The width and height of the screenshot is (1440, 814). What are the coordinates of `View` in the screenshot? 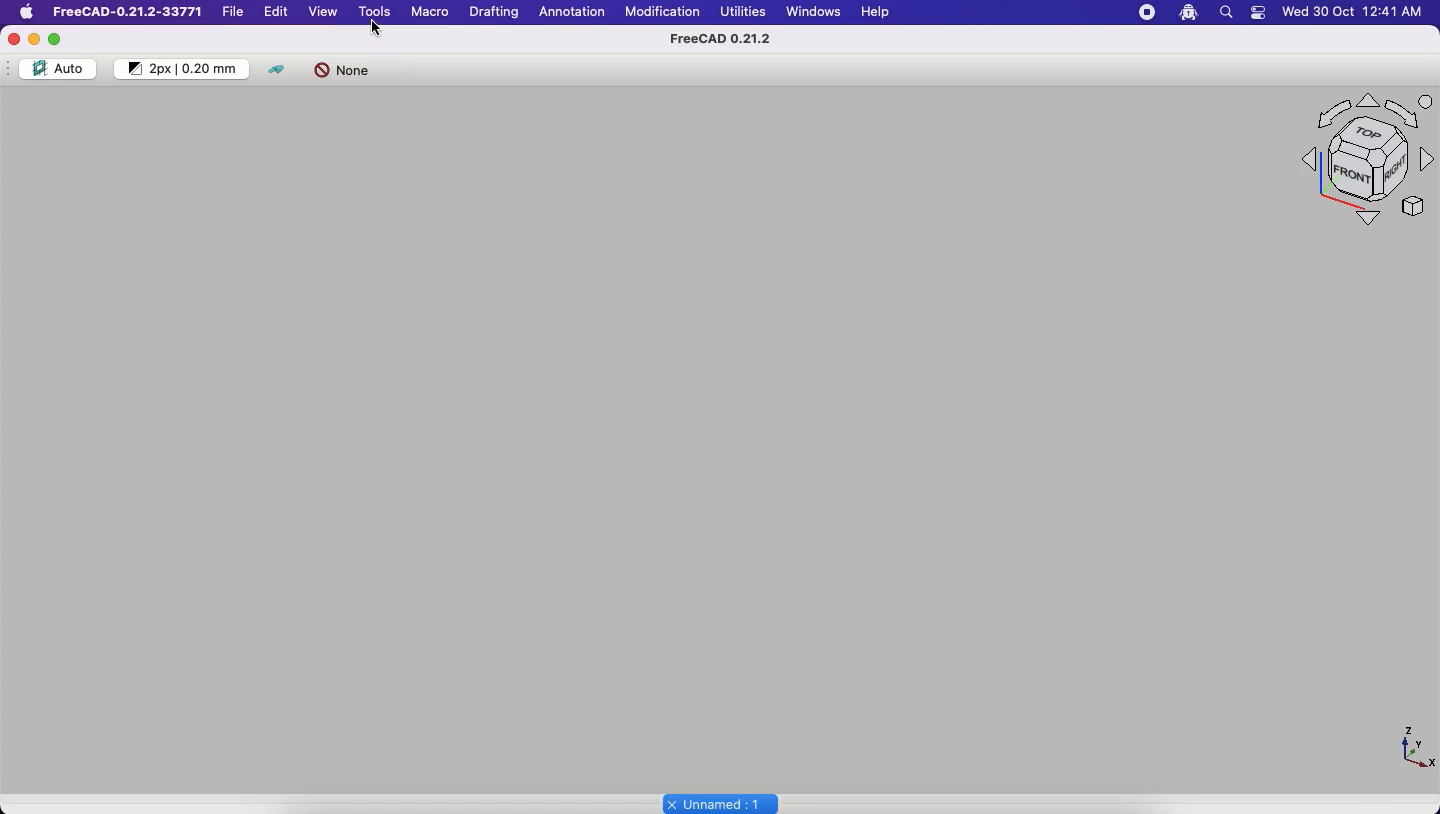 It's located at (322, 13).